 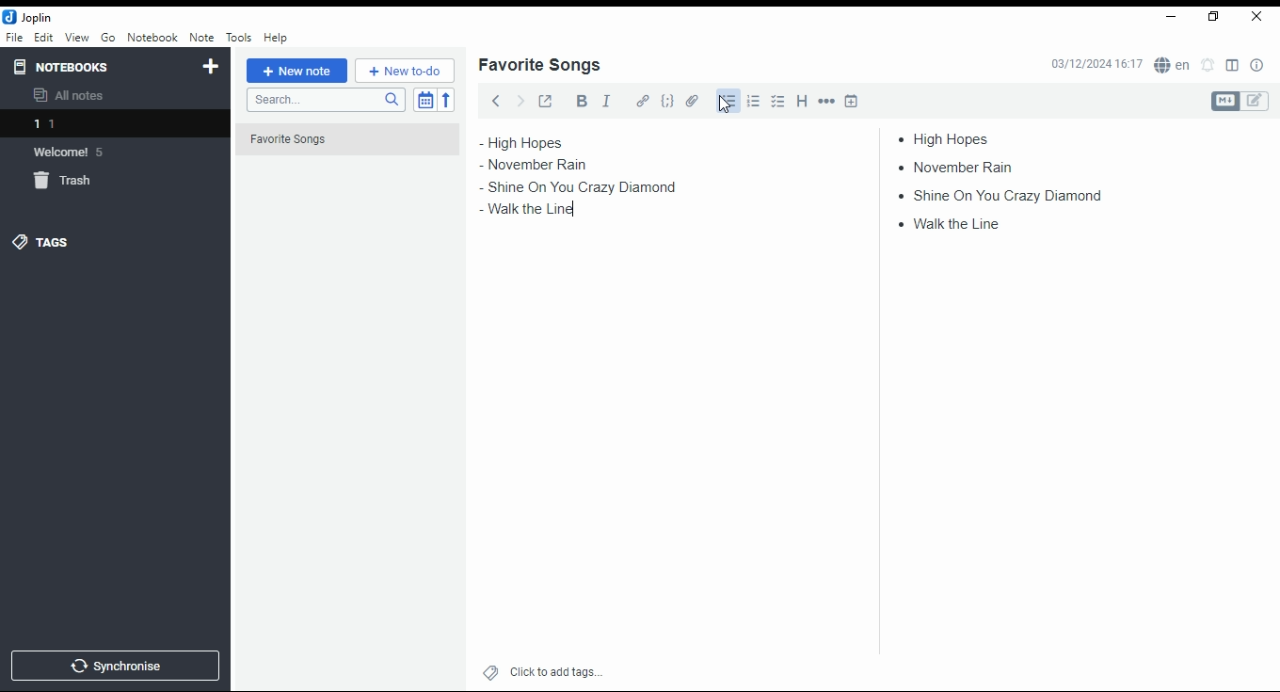 I want to click on toggle sort order field, so click(x=425, y=100).